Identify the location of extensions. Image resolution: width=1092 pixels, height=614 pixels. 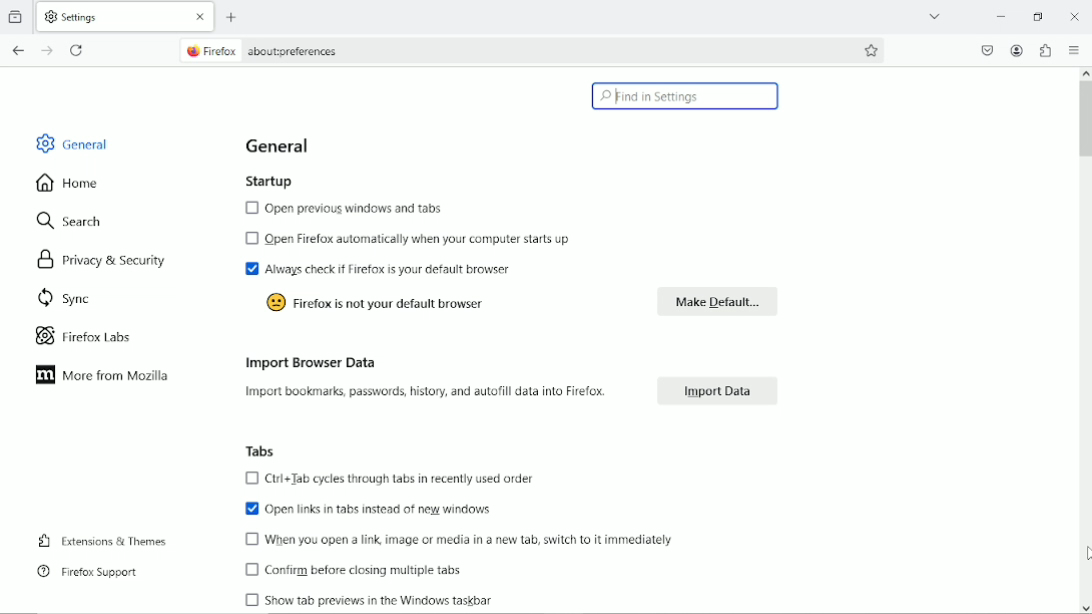
(1046, 50).